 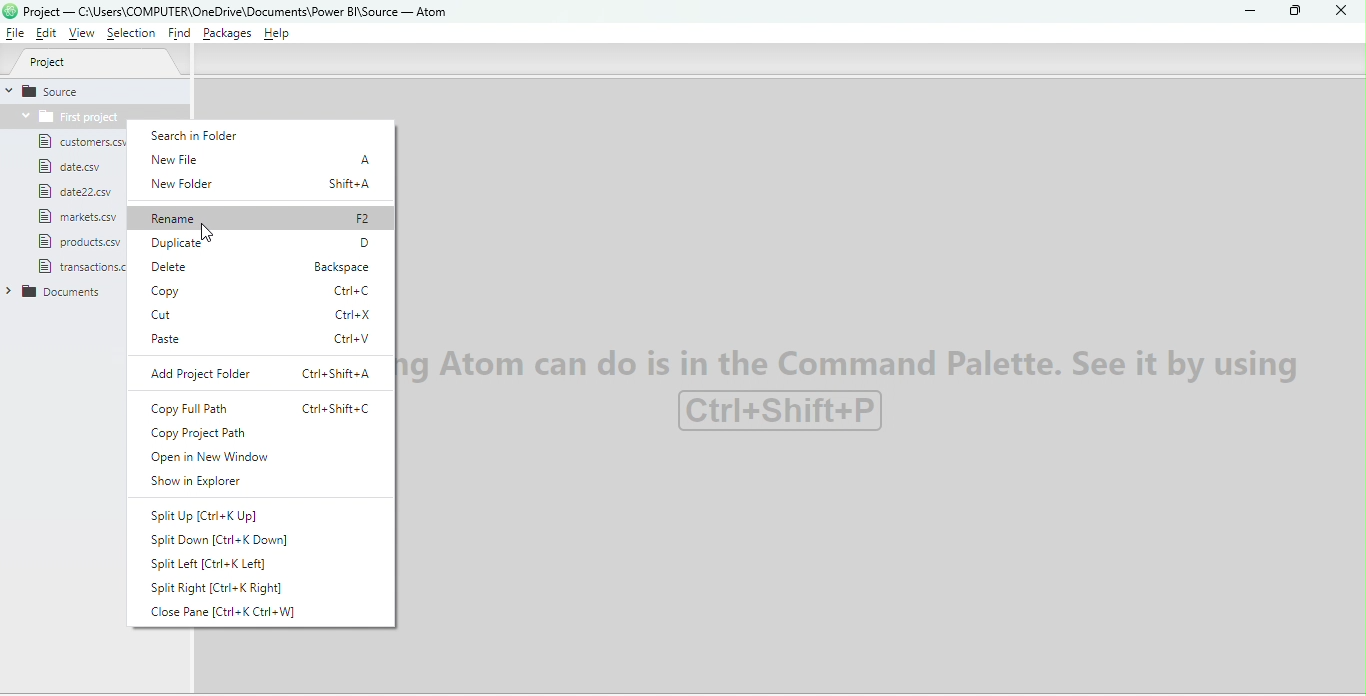 I want to click on Split down, so click(x=219, y=541).